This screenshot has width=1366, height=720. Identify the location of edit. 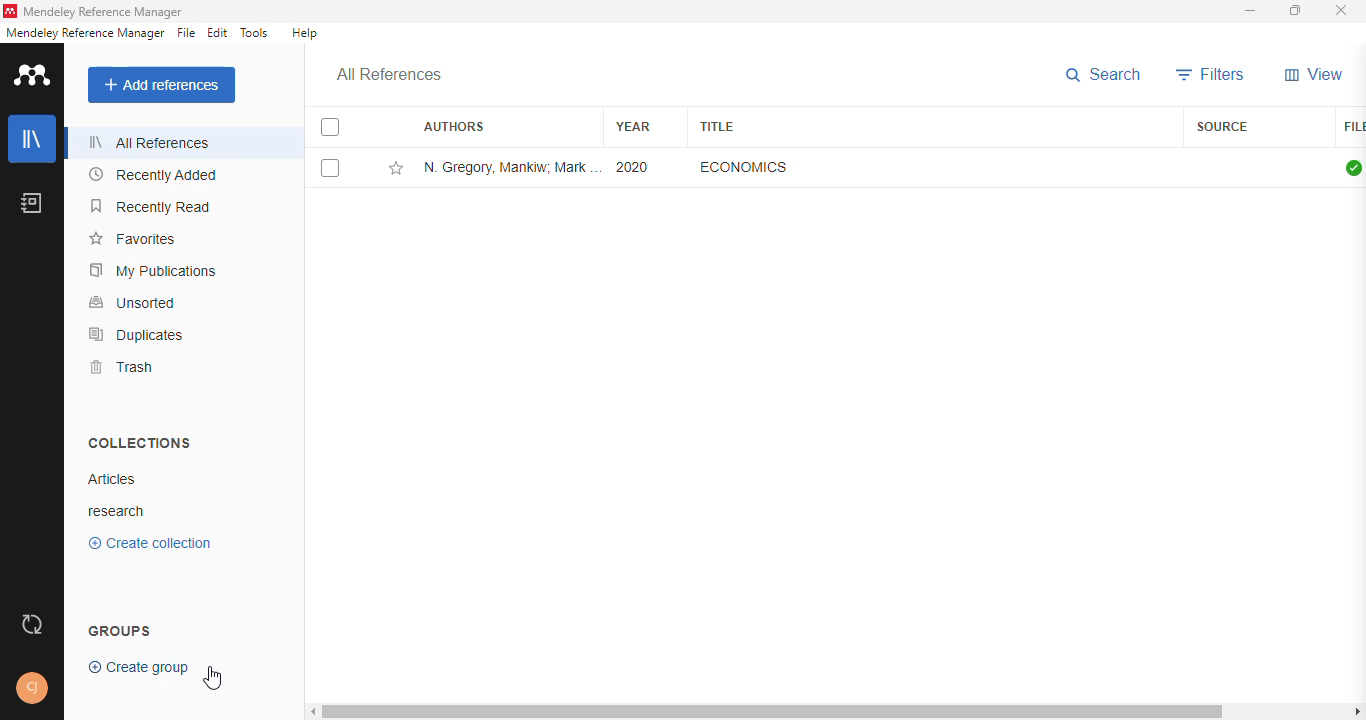
(218, 32).